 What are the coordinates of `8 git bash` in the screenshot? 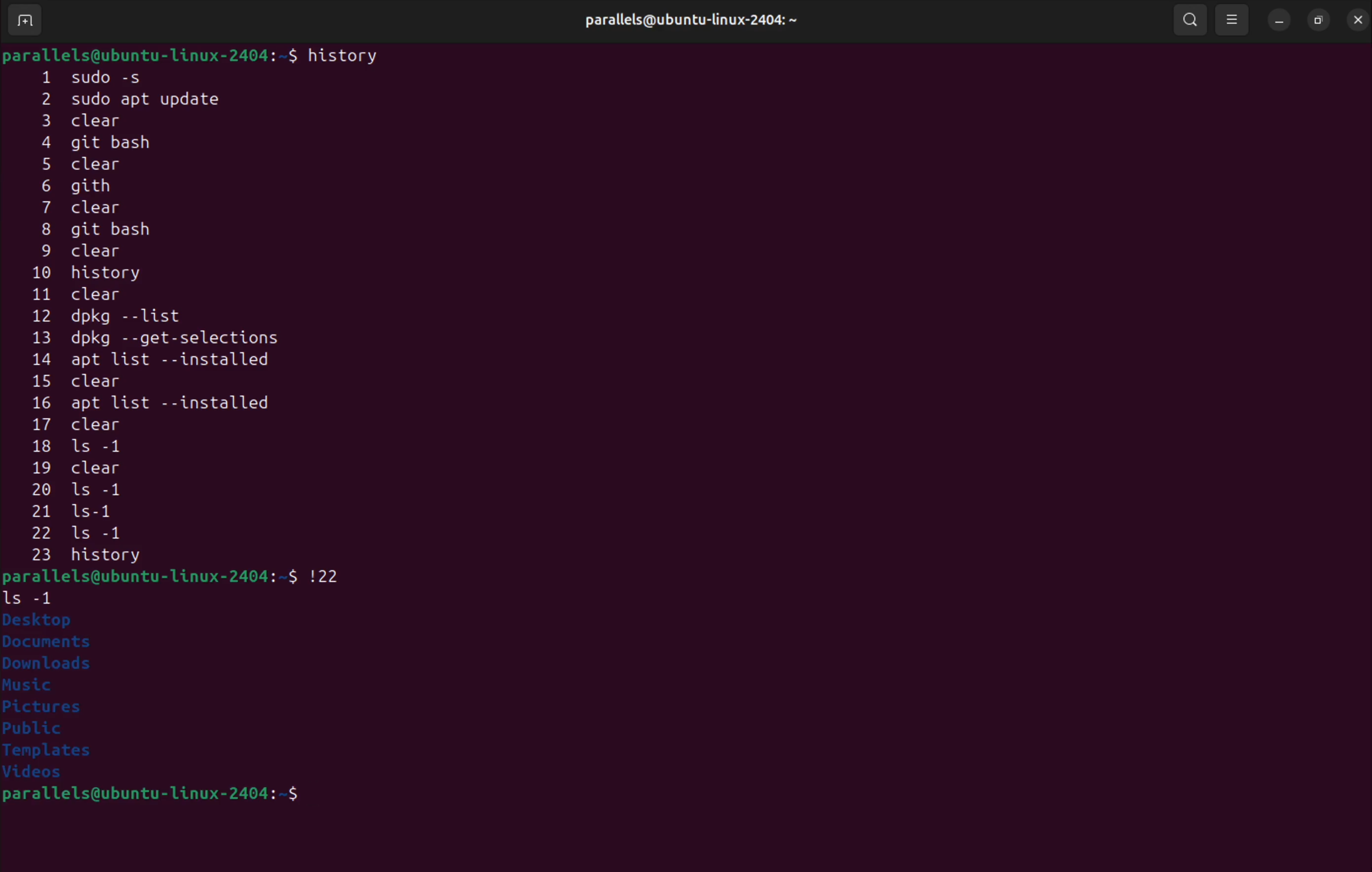 It's located at (125, 231).